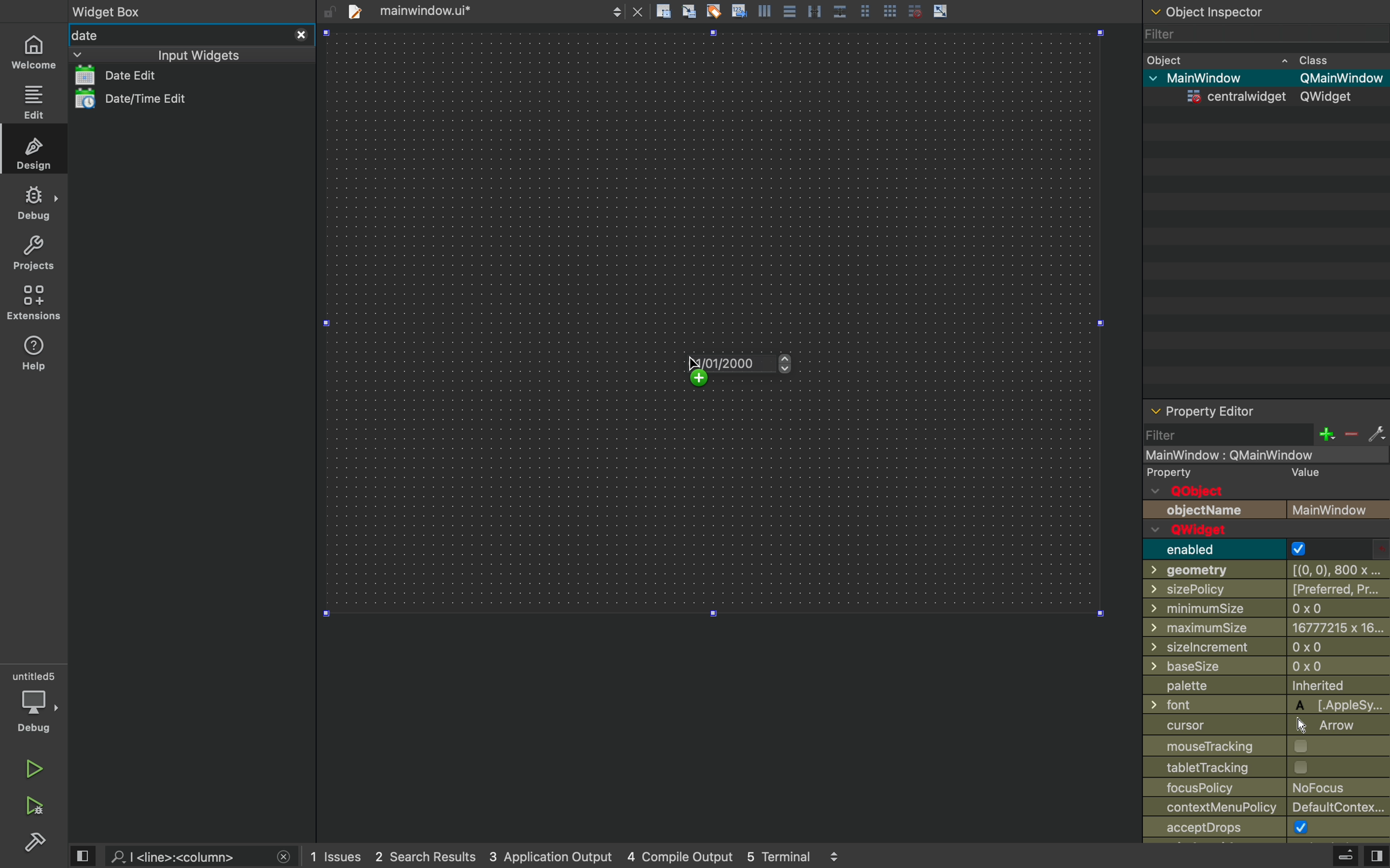 The width and height of the screenshot is (1390, 868). I want to click on maximumsize, so click(1266, 629).